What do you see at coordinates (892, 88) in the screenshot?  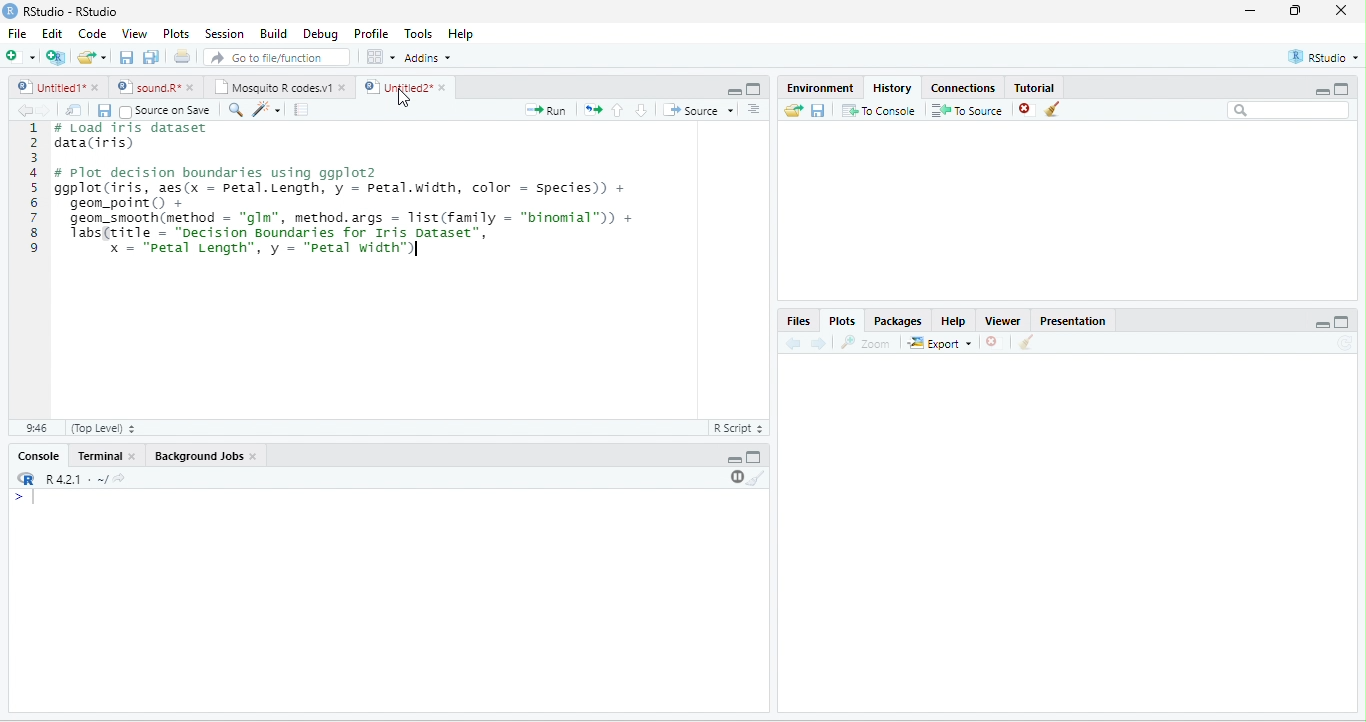 I see `History` at bounding box center [892, 88].